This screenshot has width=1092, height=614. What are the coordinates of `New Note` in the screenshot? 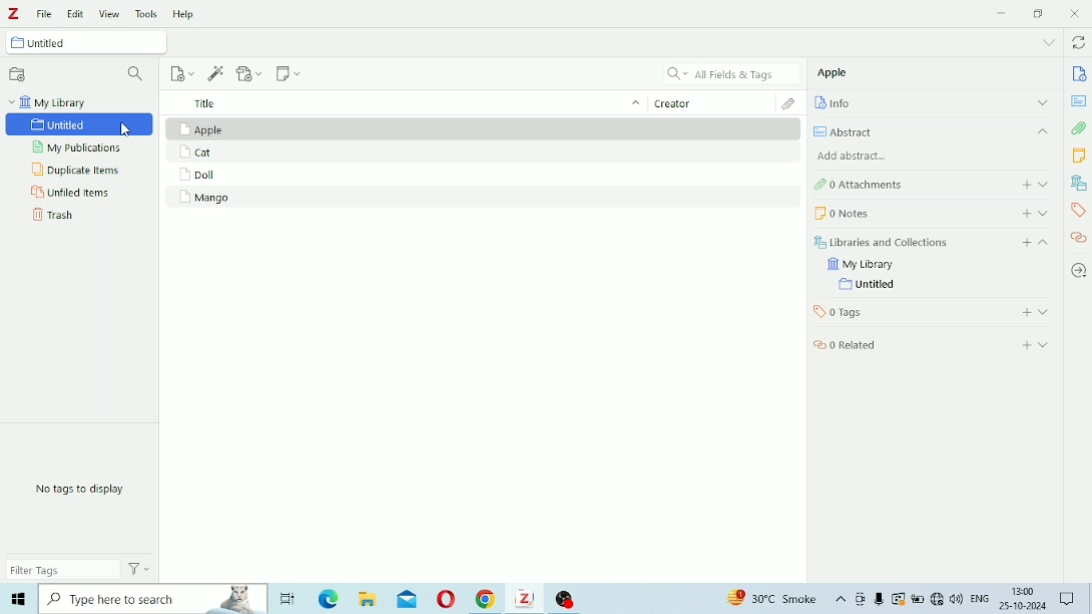 It's located at (289, 72).